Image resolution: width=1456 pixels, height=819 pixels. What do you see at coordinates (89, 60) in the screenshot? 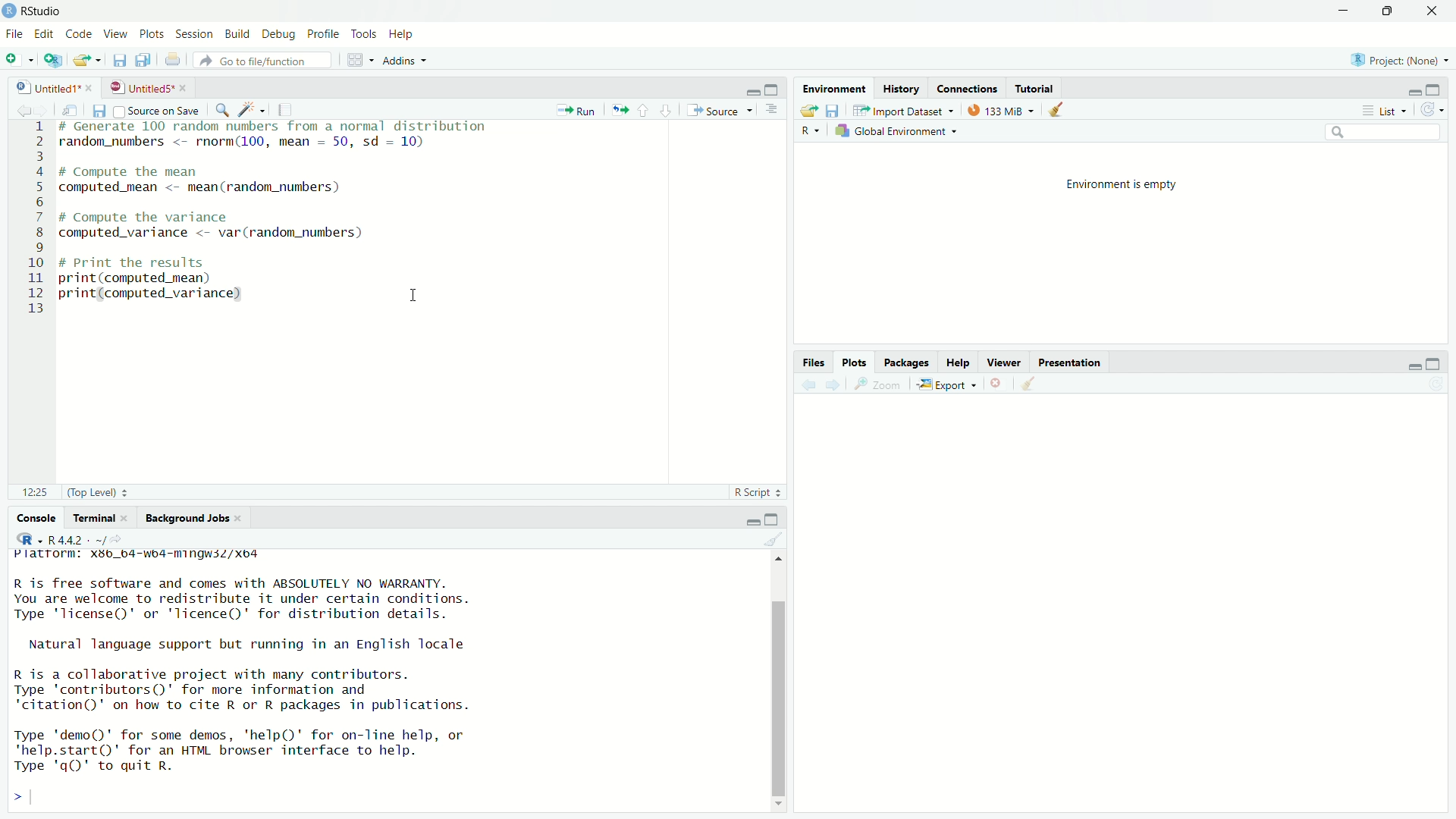
I see `open an existing file` at bounding box center [89, 60].